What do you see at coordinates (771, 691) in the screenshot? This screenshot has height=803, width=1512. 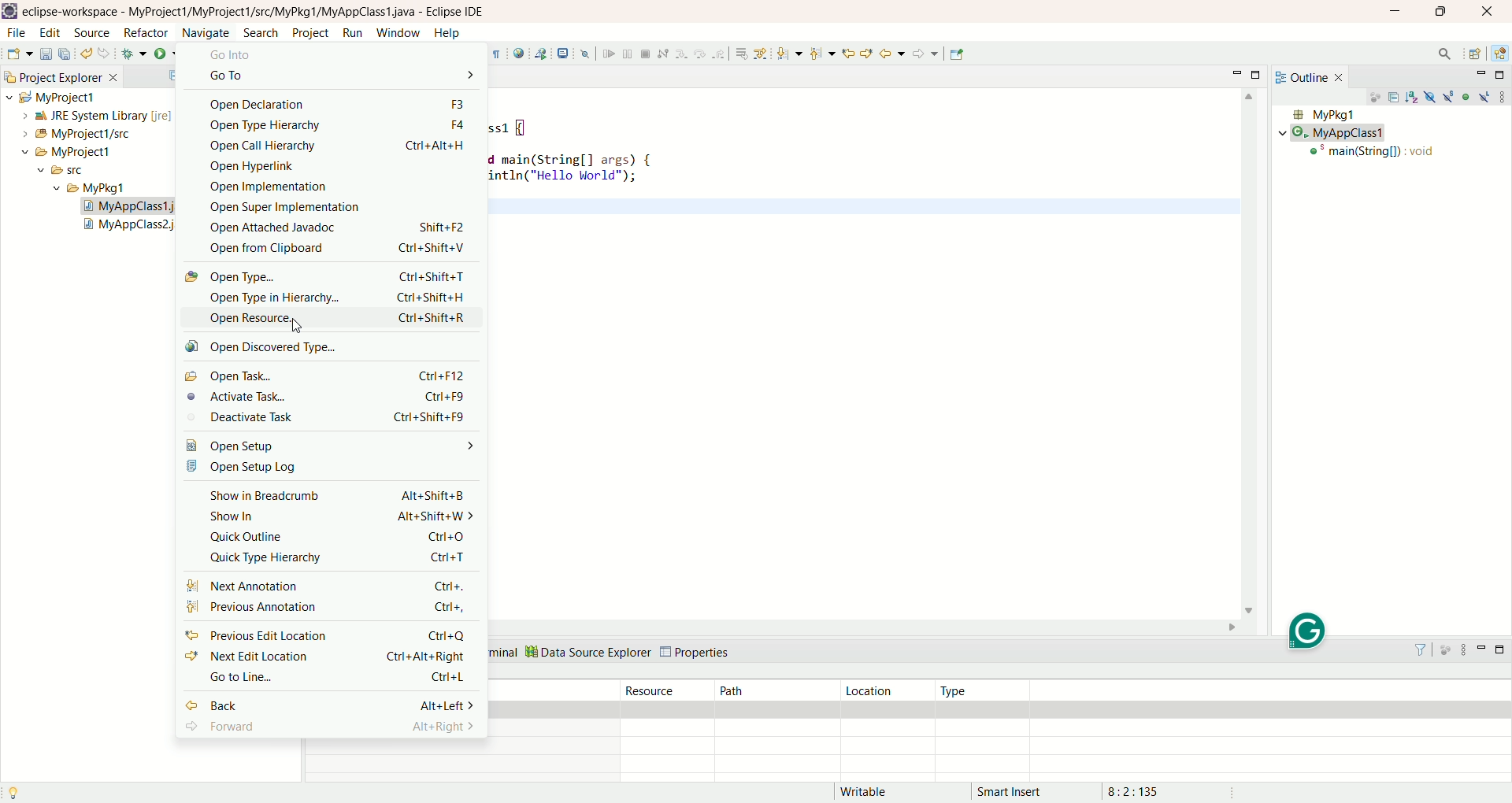 I see `path` at bounding box center [771, 691].